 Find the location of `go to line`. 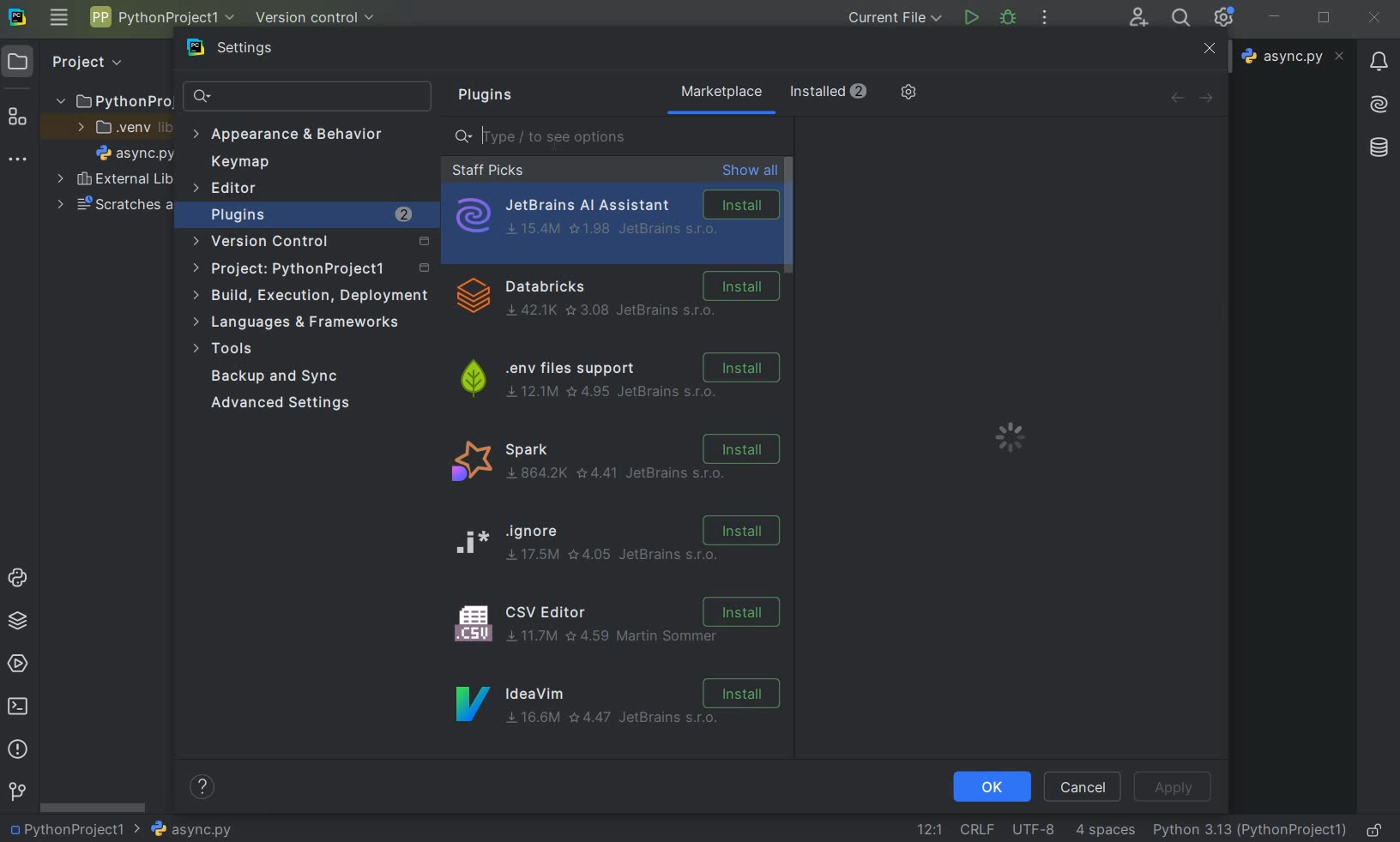

go to line is located at coordinates (930, 827).